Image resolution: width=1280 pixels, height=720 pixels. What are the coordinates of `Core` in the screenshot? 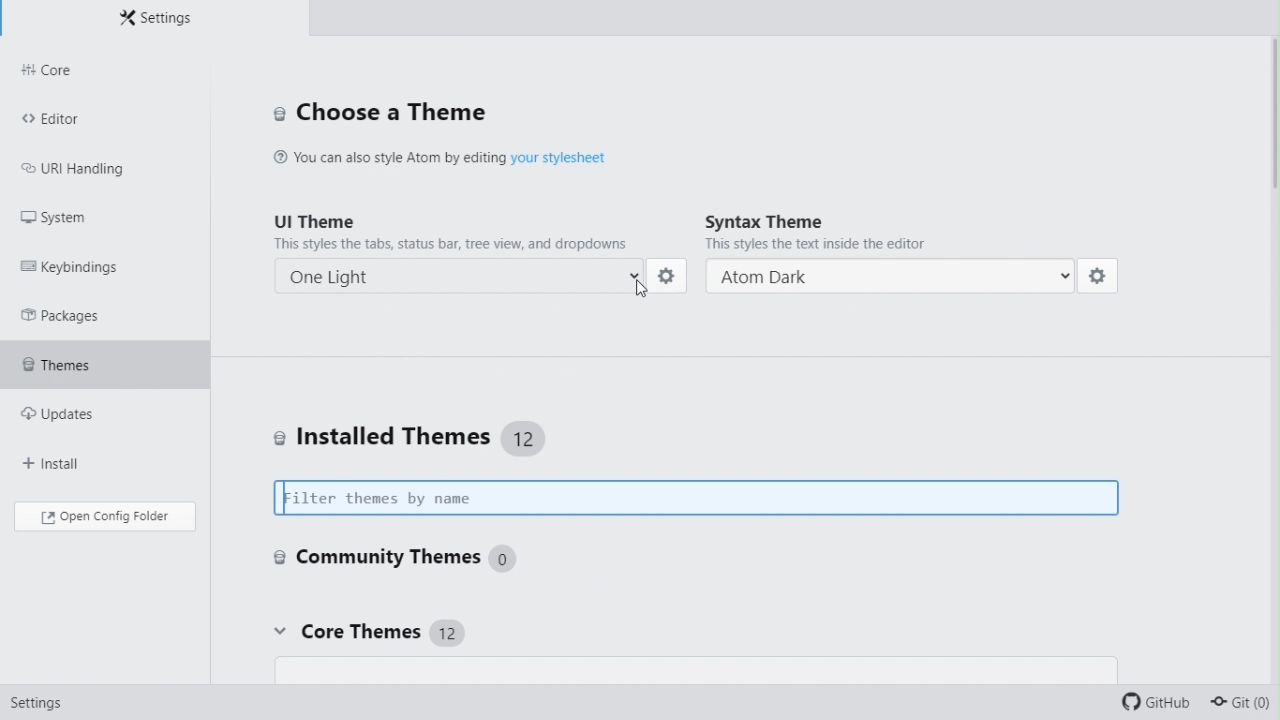 It's located at (97, 72).